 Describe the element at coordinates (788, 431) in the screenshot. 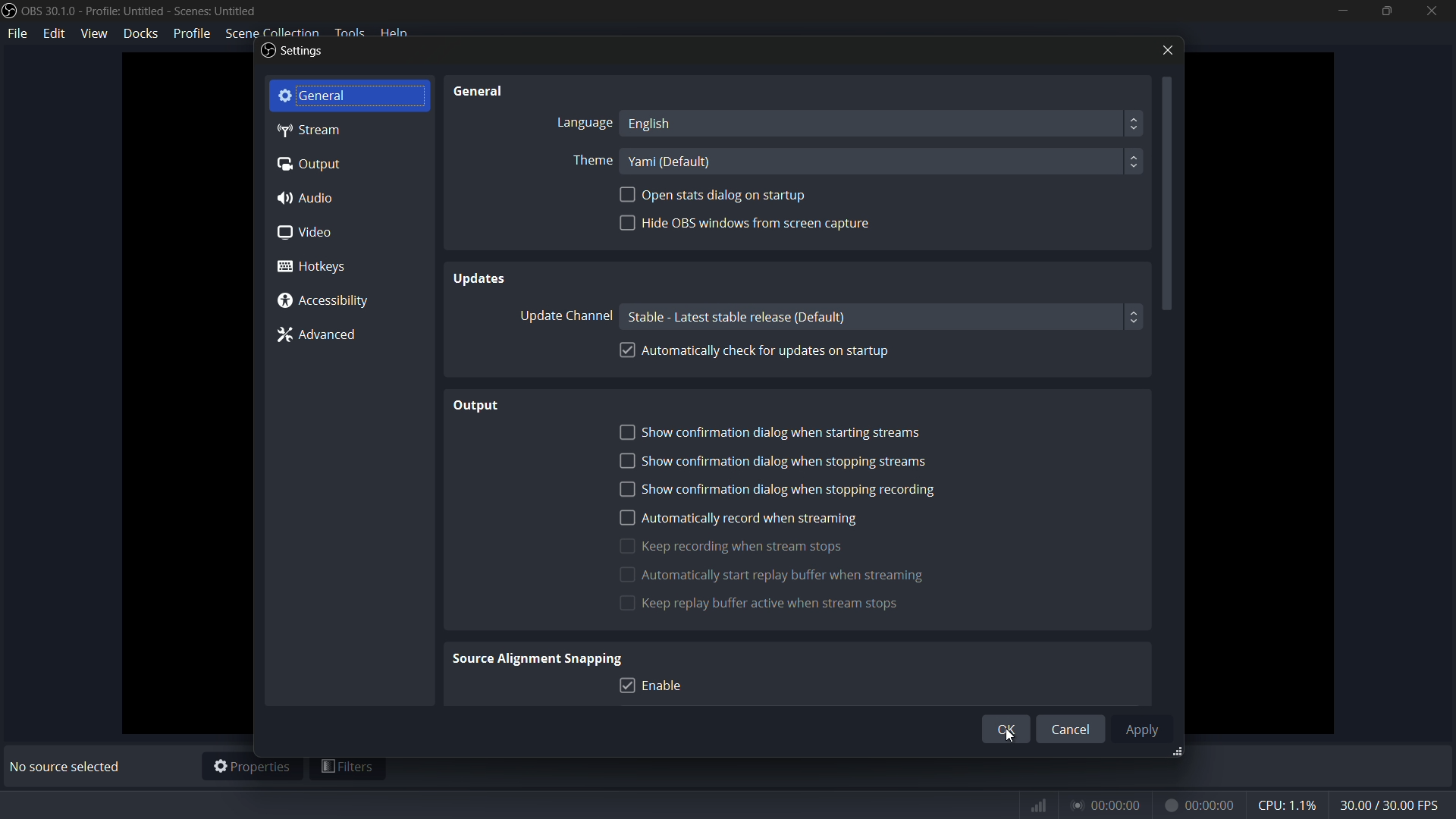

I see `Show confirmation dialog when starting streams` at that location.